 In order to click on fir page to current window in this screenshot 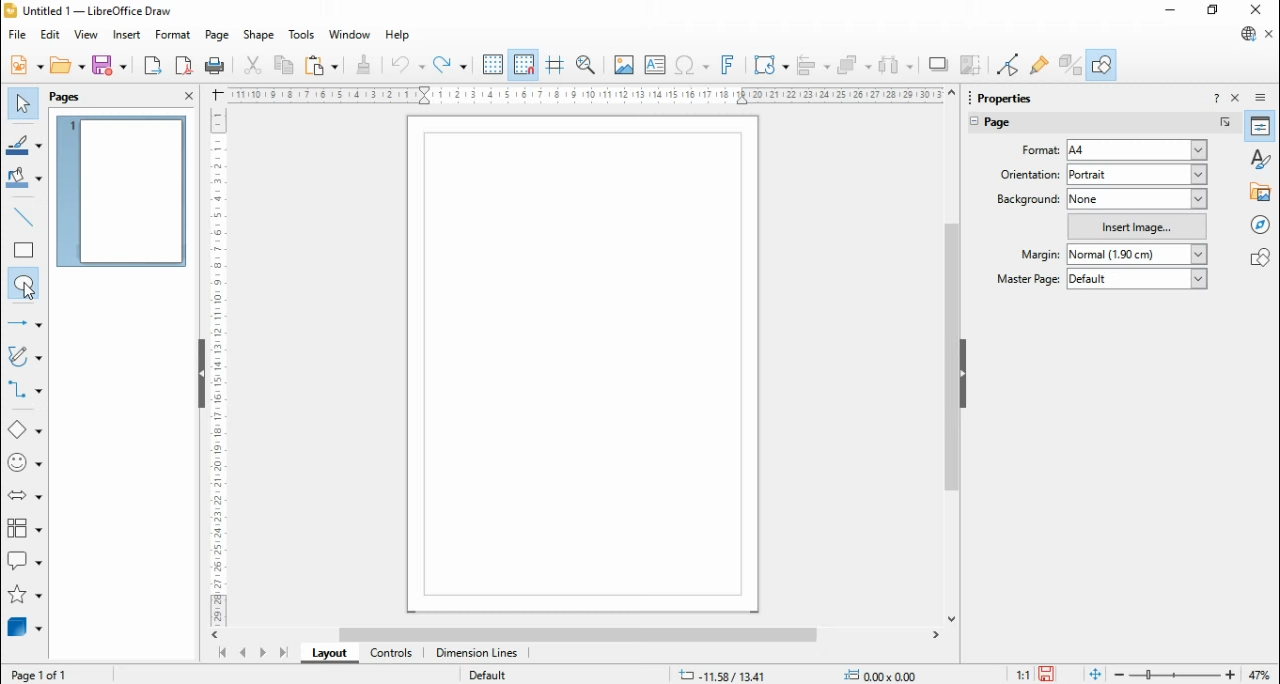, I will do `click(1095, 674)`.